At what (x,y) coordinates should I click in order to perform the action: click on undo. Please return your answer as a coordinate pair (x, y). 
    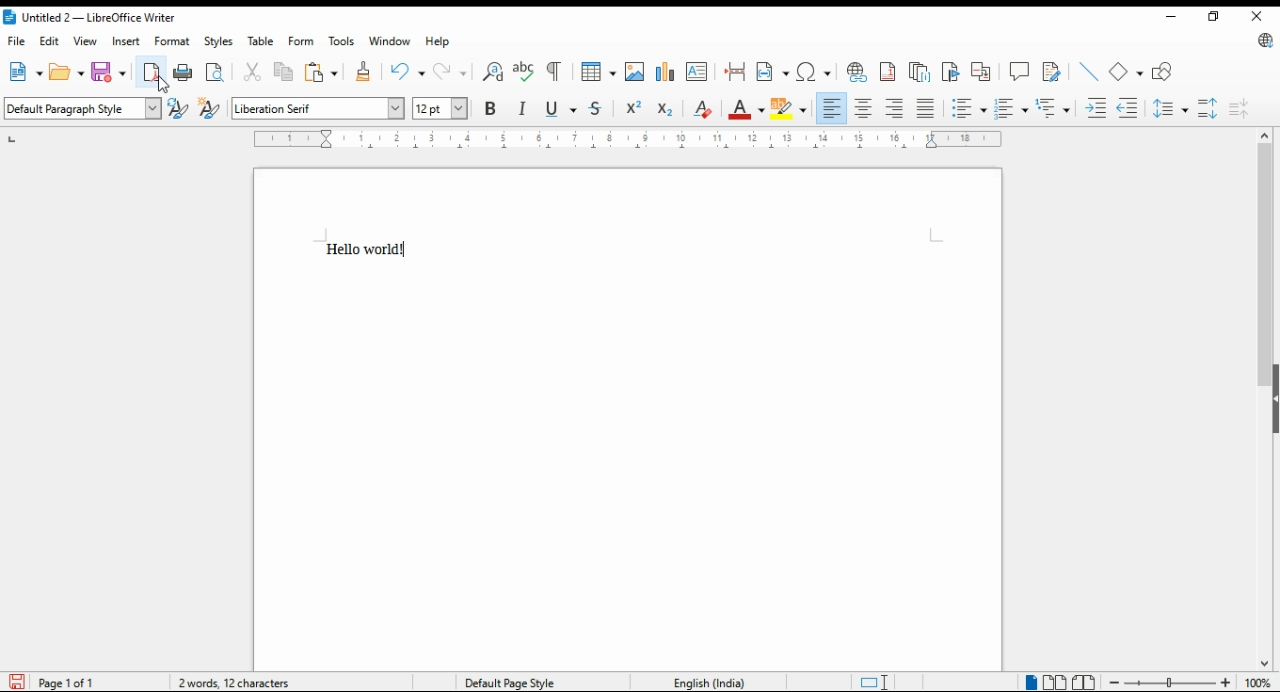
    Looking at the image, I should click on (409, 72).